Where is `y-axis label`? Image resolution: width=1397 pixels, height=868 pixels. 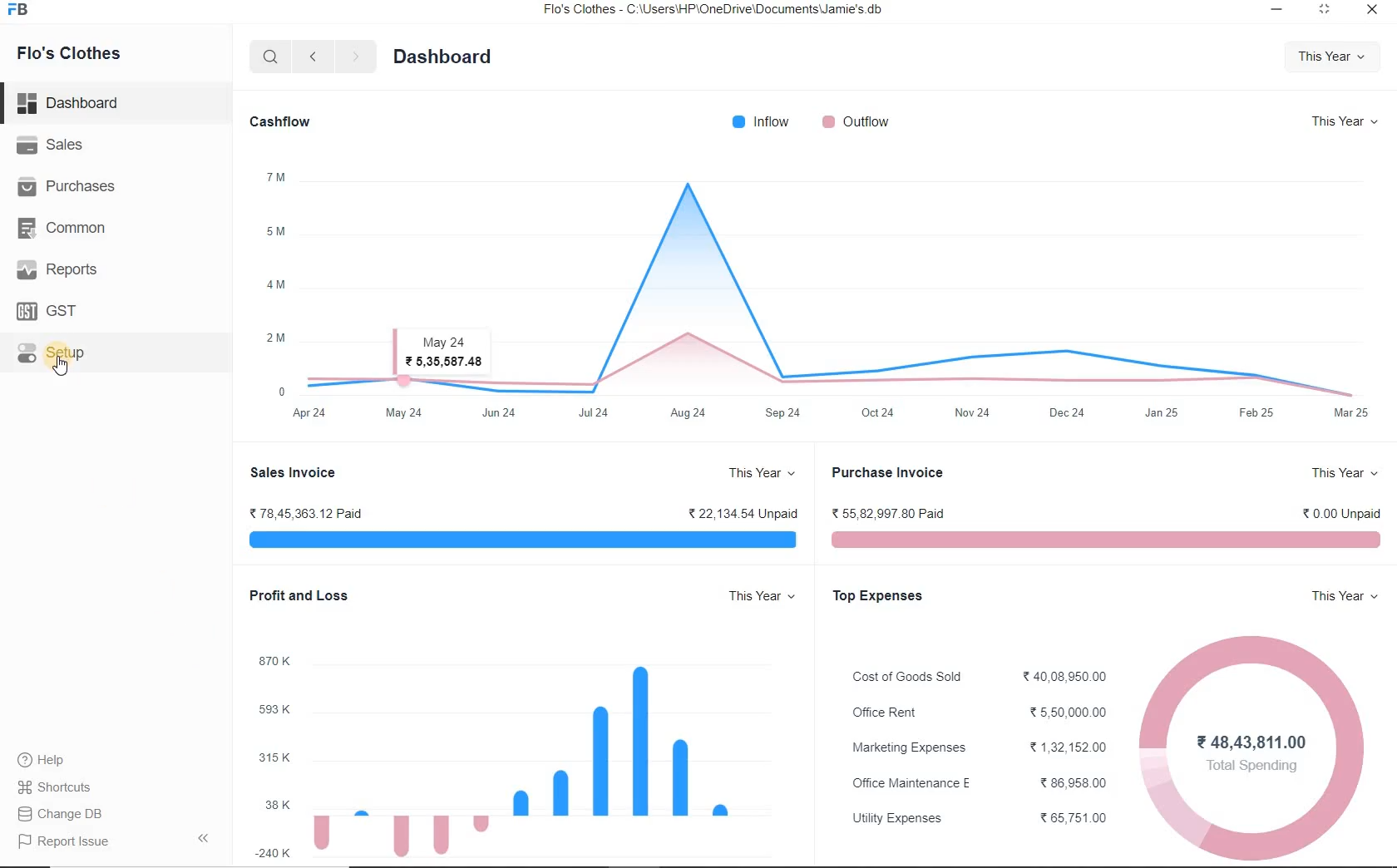 y-axis label is located at coordinates (277, 274).